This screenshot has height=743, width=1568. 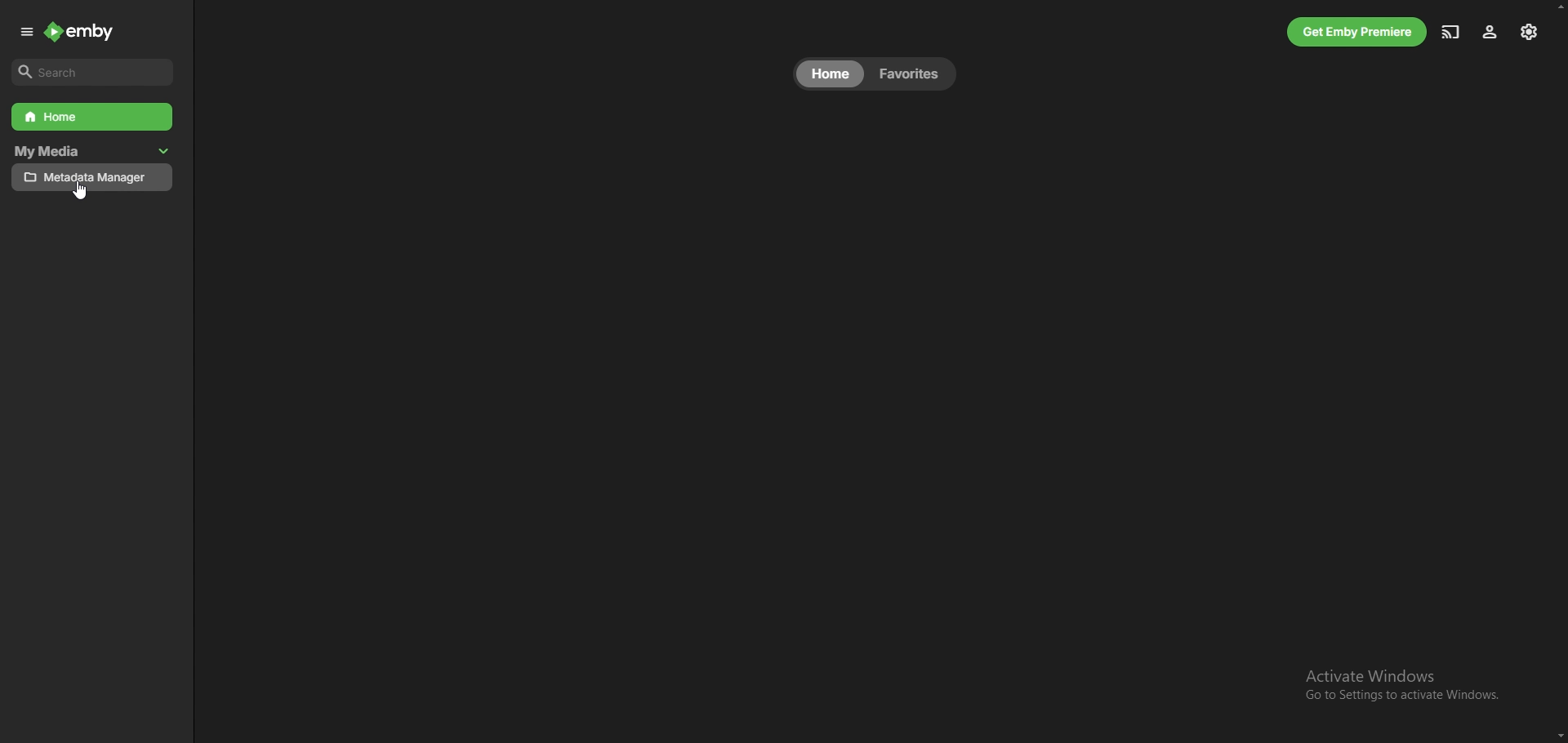 What do you see at coordinates (93, 117) in the screenshot?
I see `home` at bounding box center [93, 117].